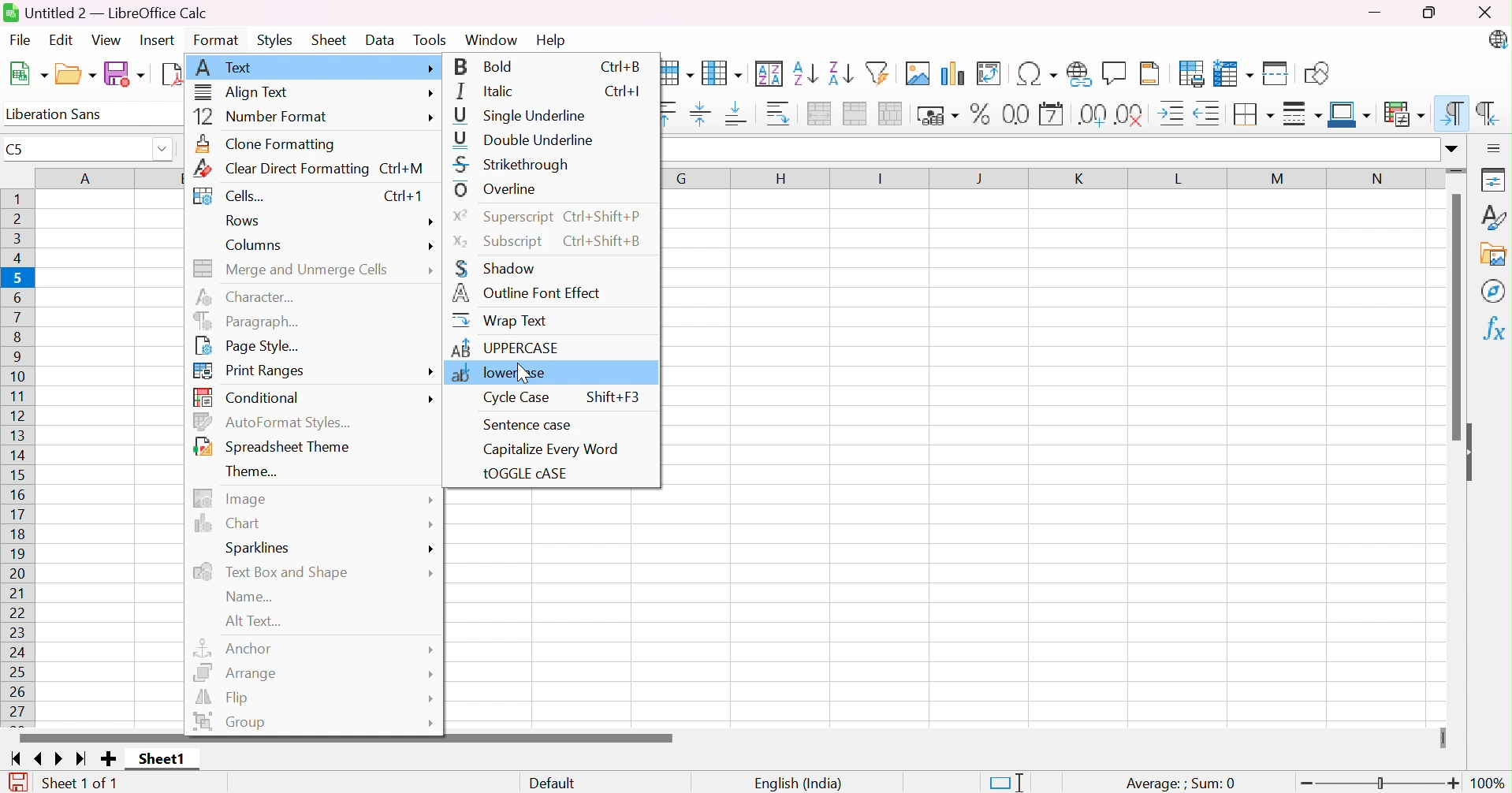 This screenshot has height=793, width=1512. What do you see at coordinates (527, 294) in the screenshot?
I see `Outline Font Effect` at bounding box center [527, 294].